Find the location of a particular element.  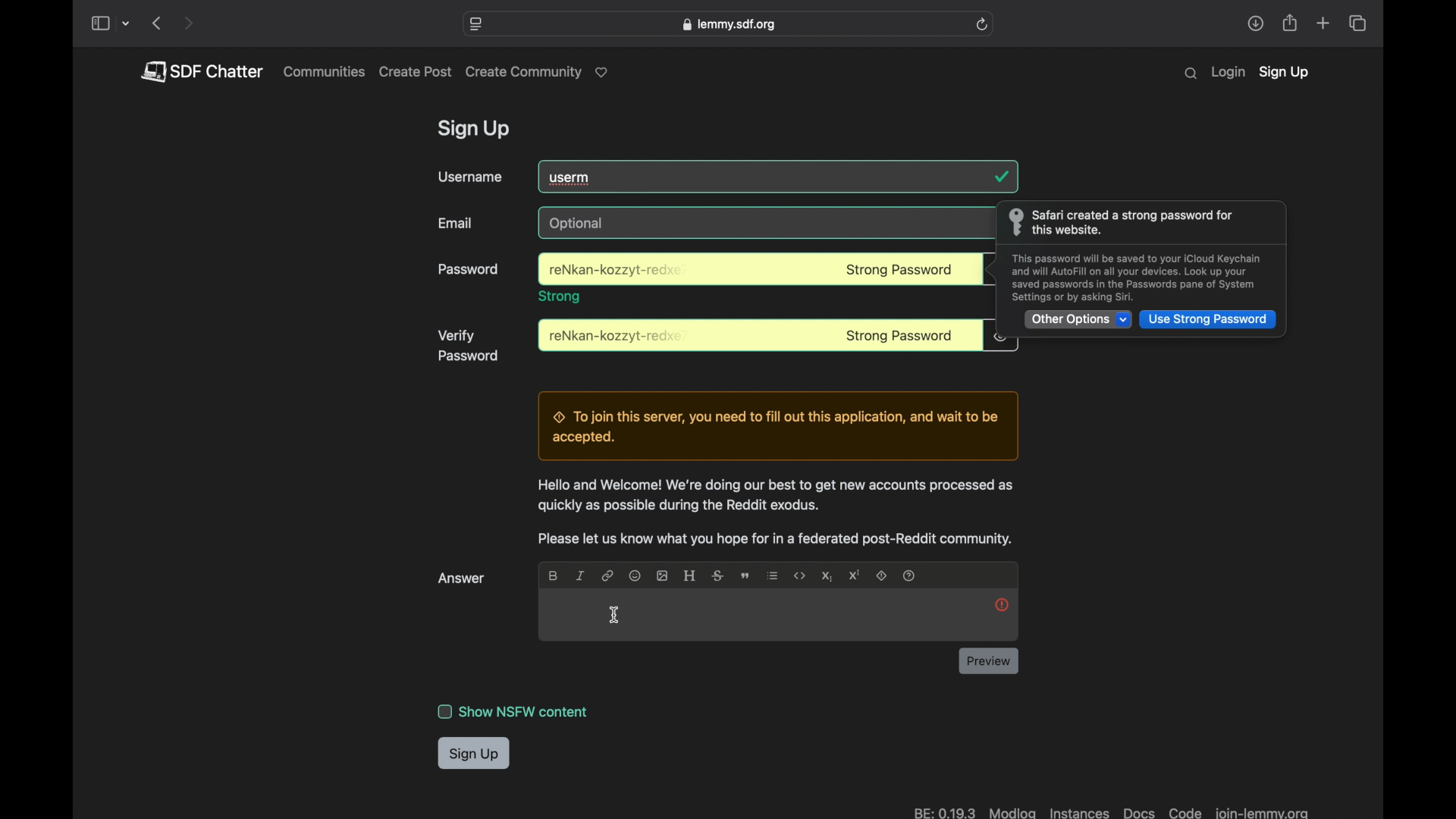

previous page is located at coordinates (156, 23).